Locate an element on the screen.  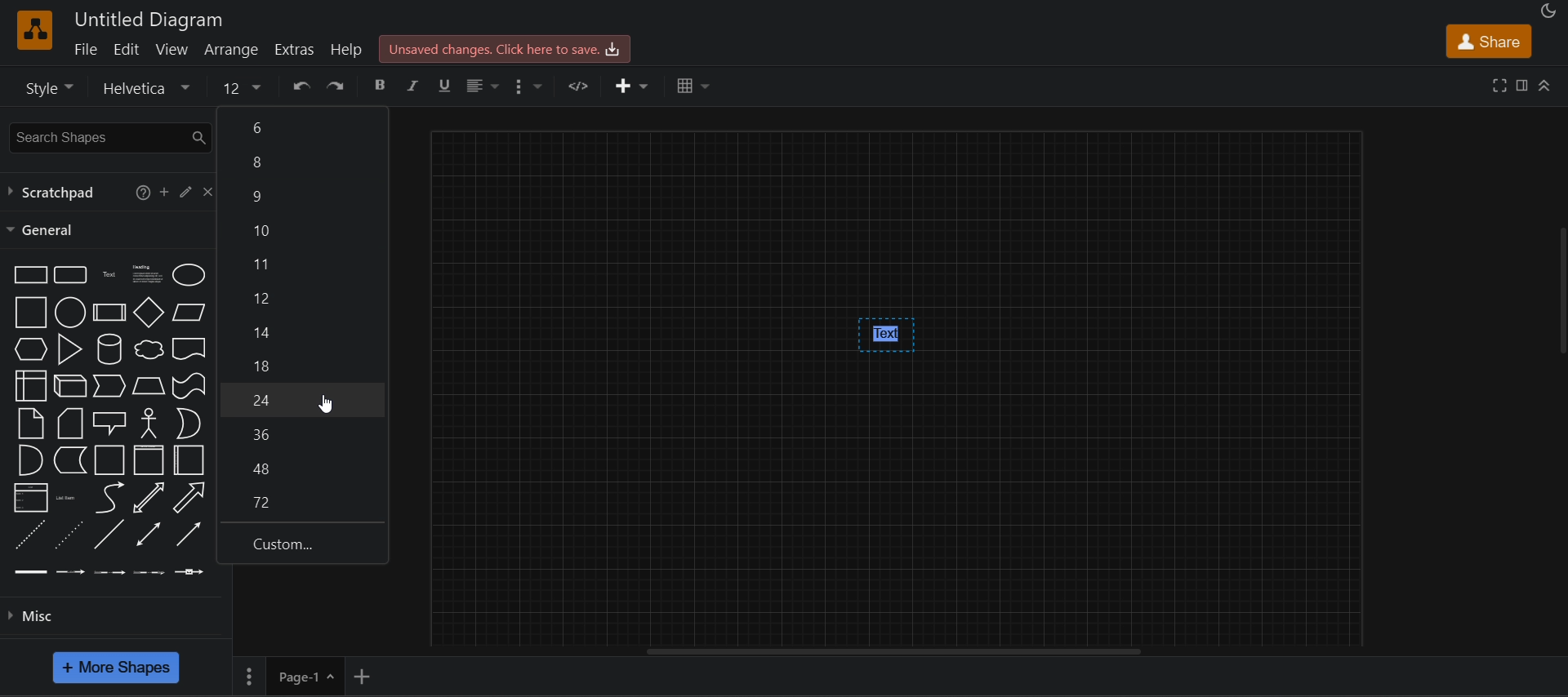
fullscreen is located at coordinates (1499, 85).